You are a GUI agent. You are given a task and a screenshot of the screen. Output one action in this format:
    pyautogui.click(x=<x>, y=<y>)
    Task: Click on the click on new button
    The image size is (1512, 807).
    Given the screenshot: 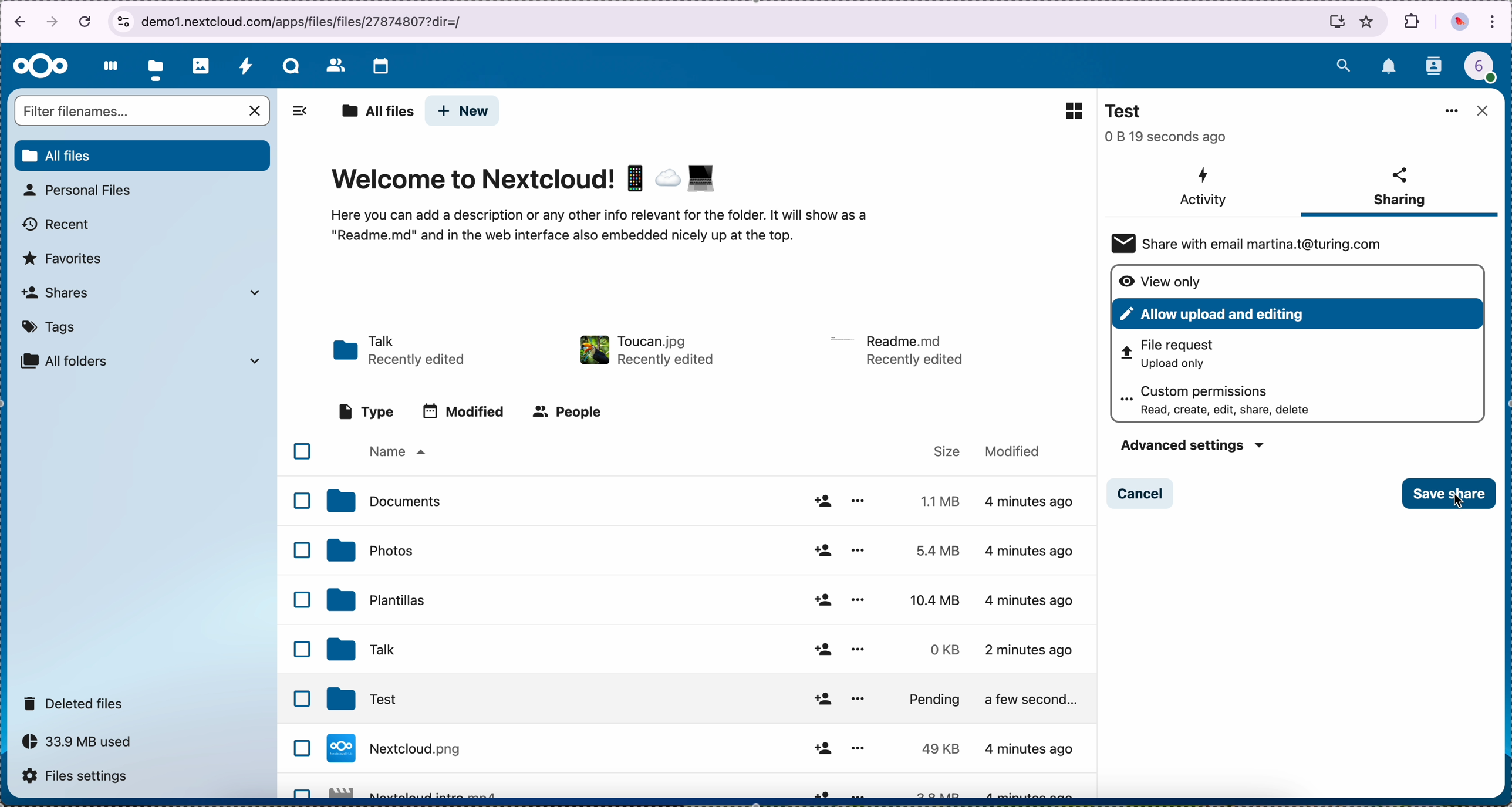 What is the action you would take?
    pyautogui.click(x=463, y=112)
    